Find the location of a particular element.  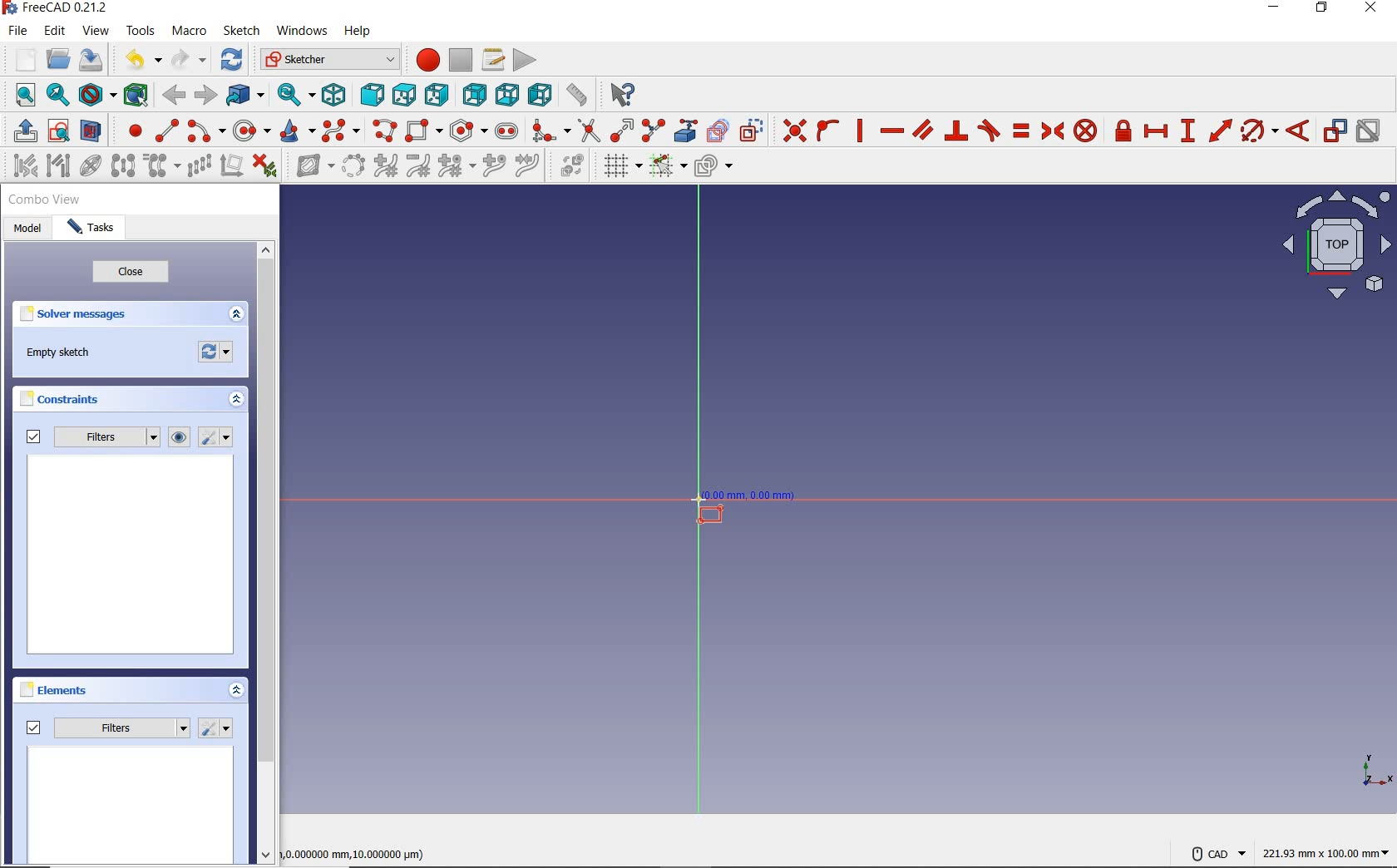

show/hide B-Spline information layer is located at coordinates (309, 167).